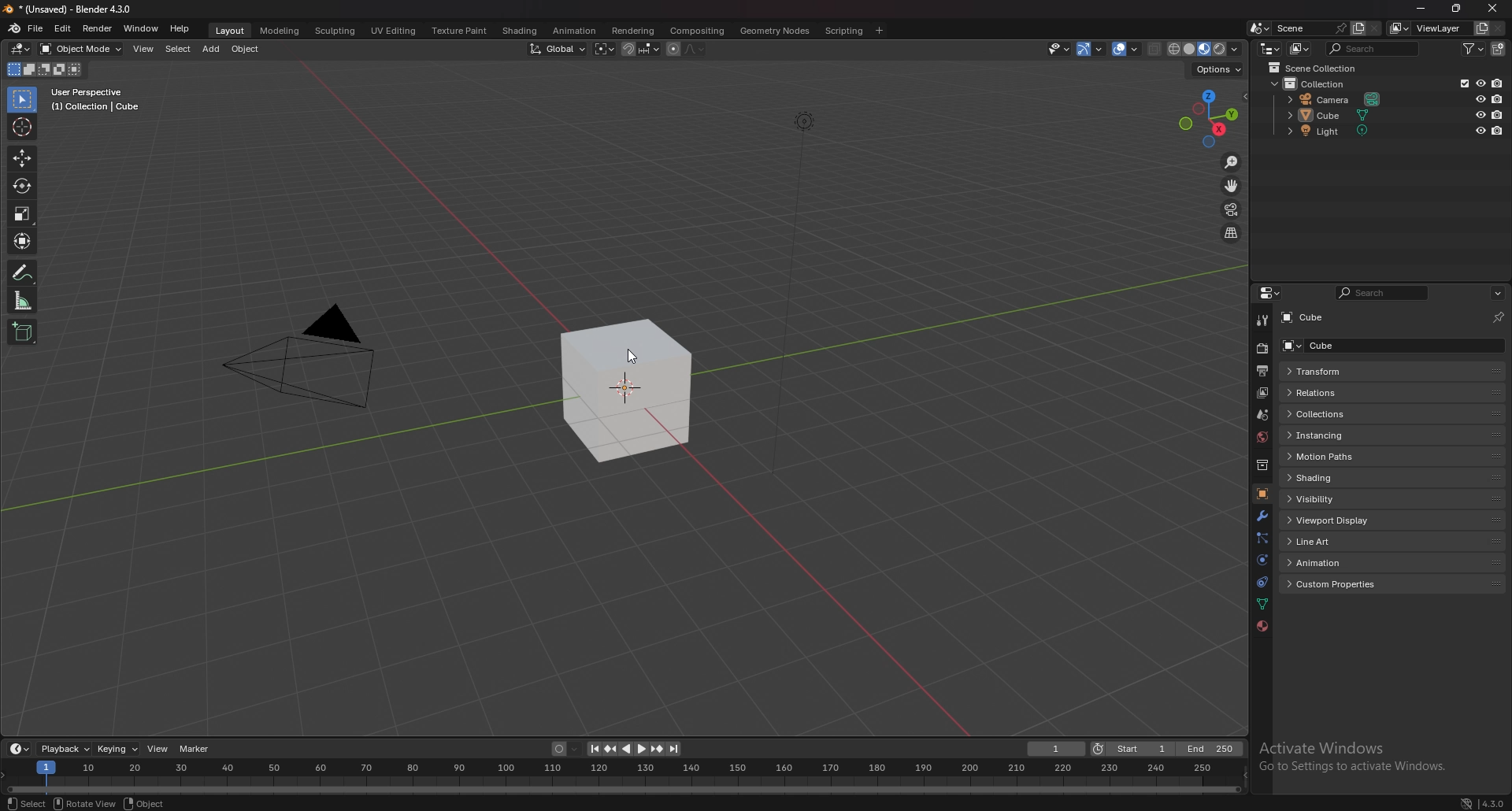 The image size is (1512, 811). What do you see at coordinates (1499, 315) in the screenshot?
I see `toggle pin id` at bounding box center [1499, 315].